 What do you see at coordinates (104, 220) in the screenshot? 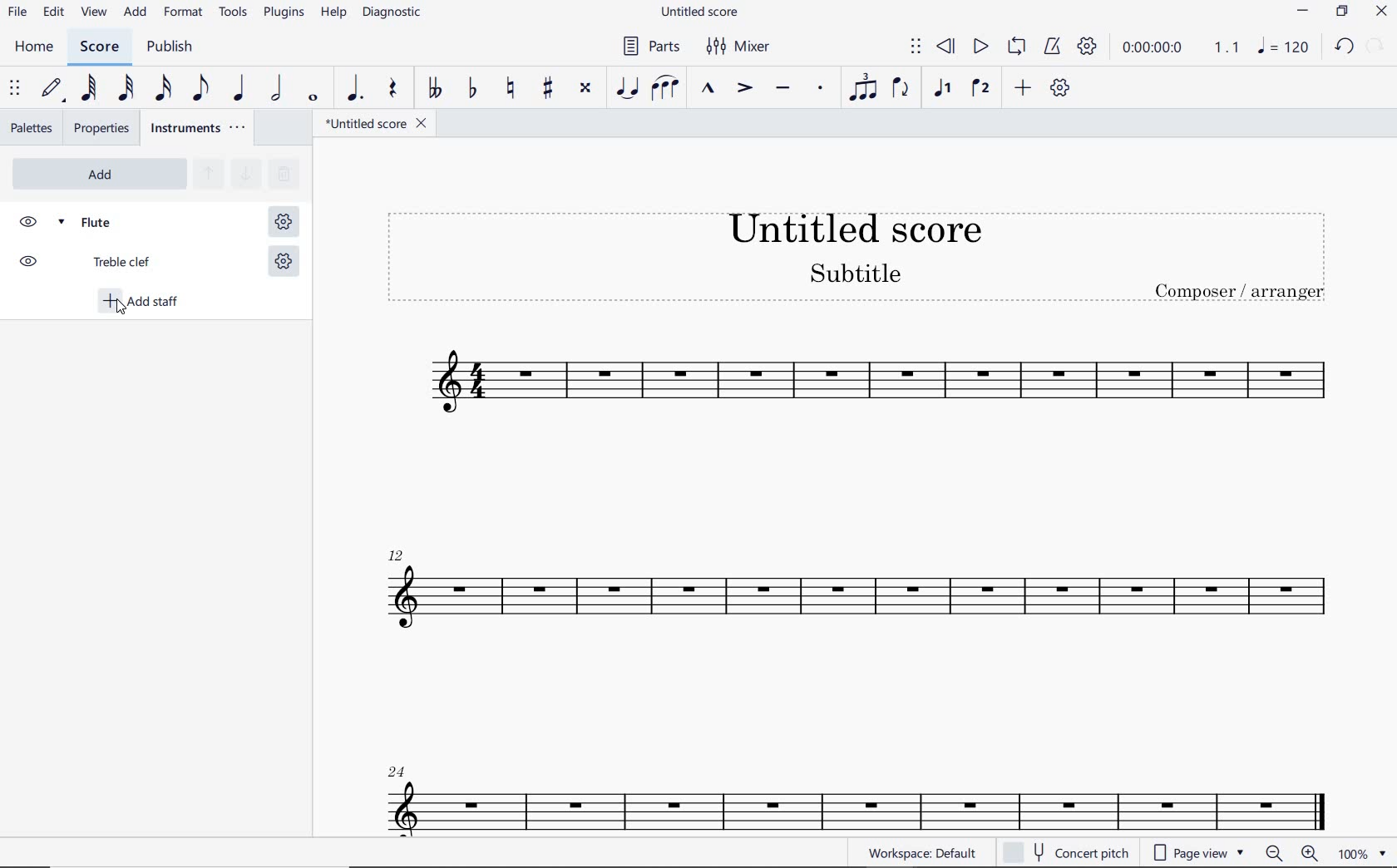
I see `FLUTE` at bounding box center [104, 220].